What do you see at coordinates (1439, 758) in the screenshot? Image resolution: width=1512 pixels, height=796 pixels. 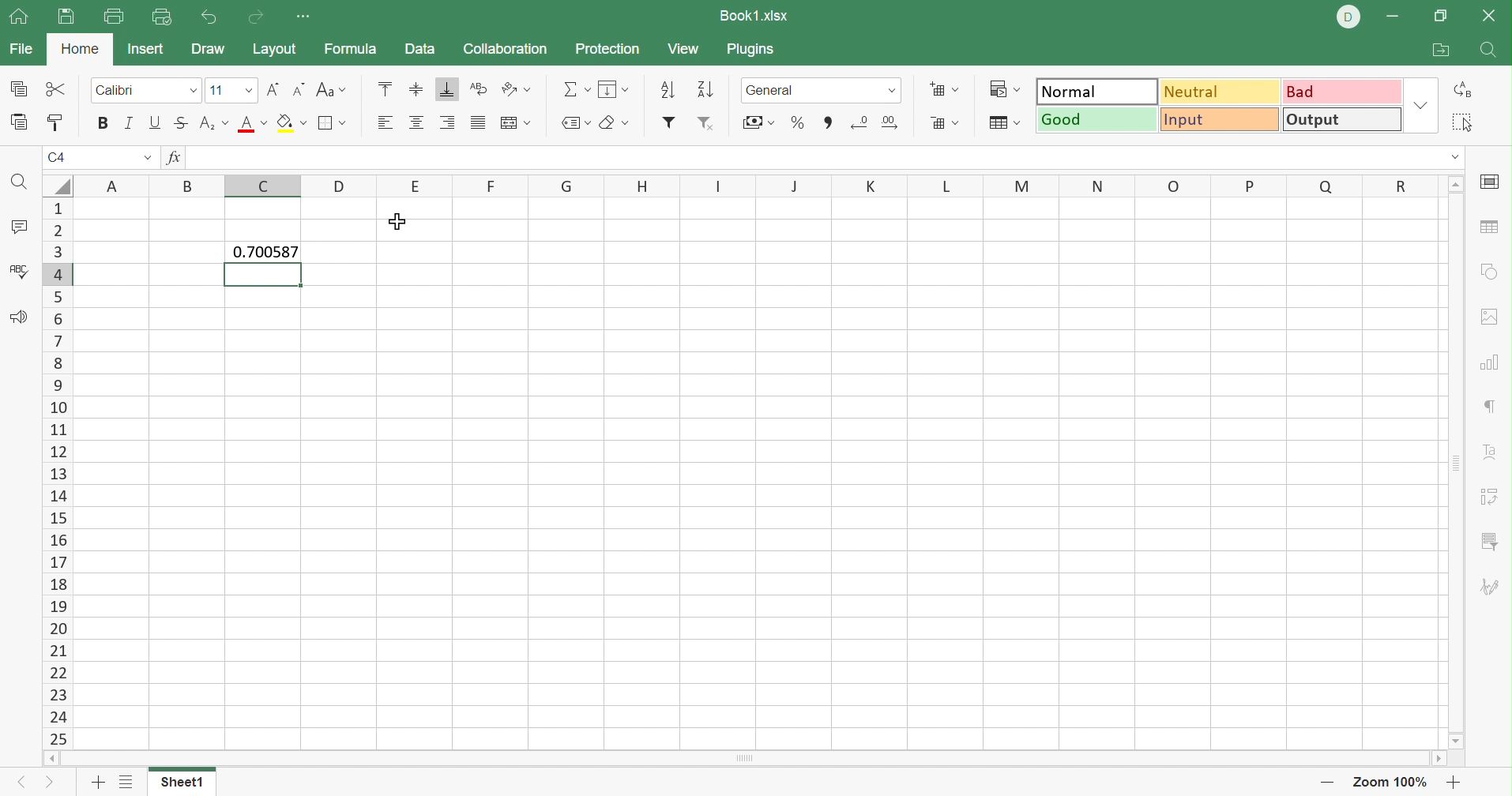 I see `Scroll right` at bounding box center [1439, 758].